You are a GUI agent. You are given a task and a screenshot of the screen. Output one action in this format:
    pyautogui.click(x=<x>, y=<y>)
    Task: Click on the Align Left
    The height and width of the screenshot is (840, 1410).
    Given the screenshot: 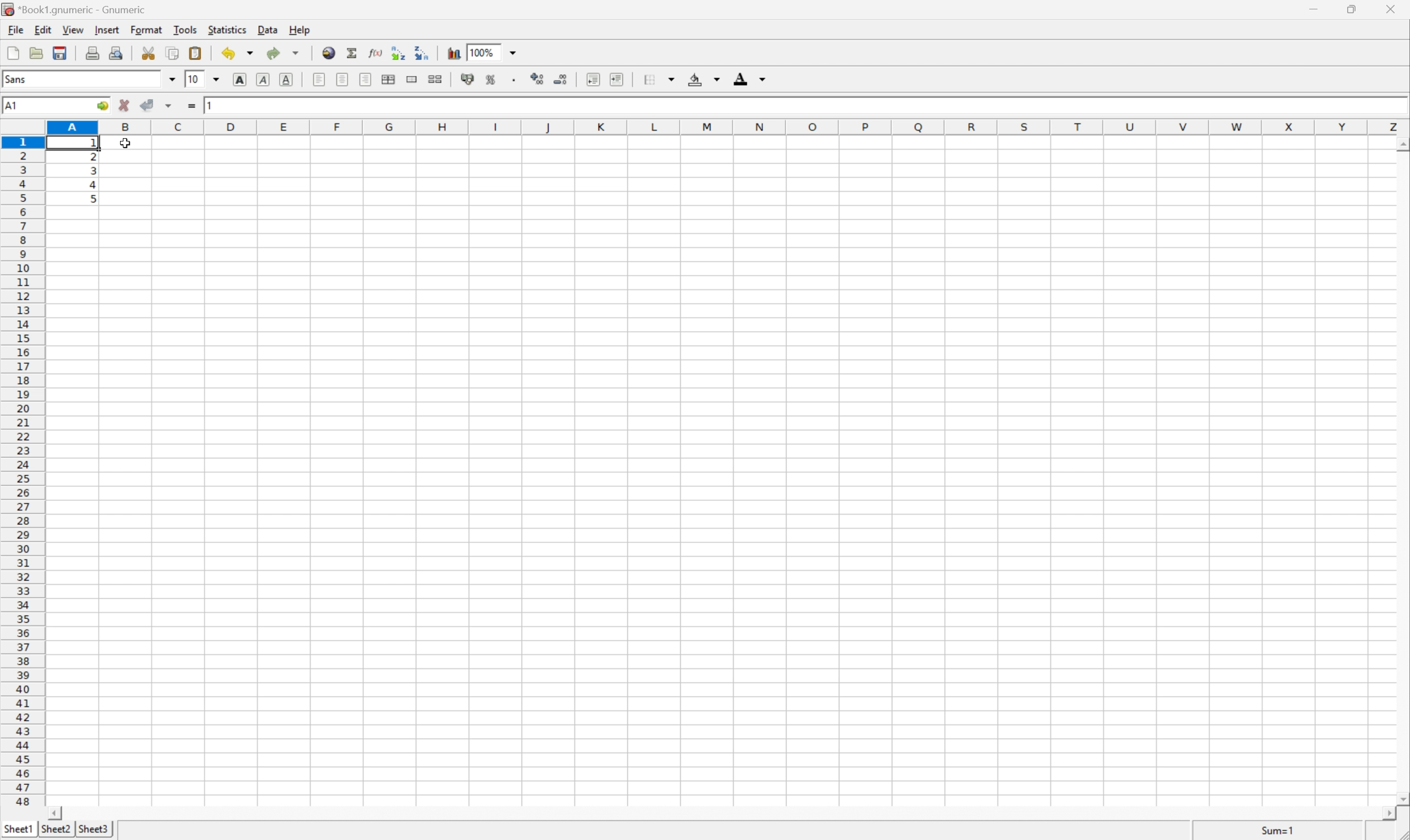 What is the action you would take?
    pyautogui.click(x=320, y=80)
    